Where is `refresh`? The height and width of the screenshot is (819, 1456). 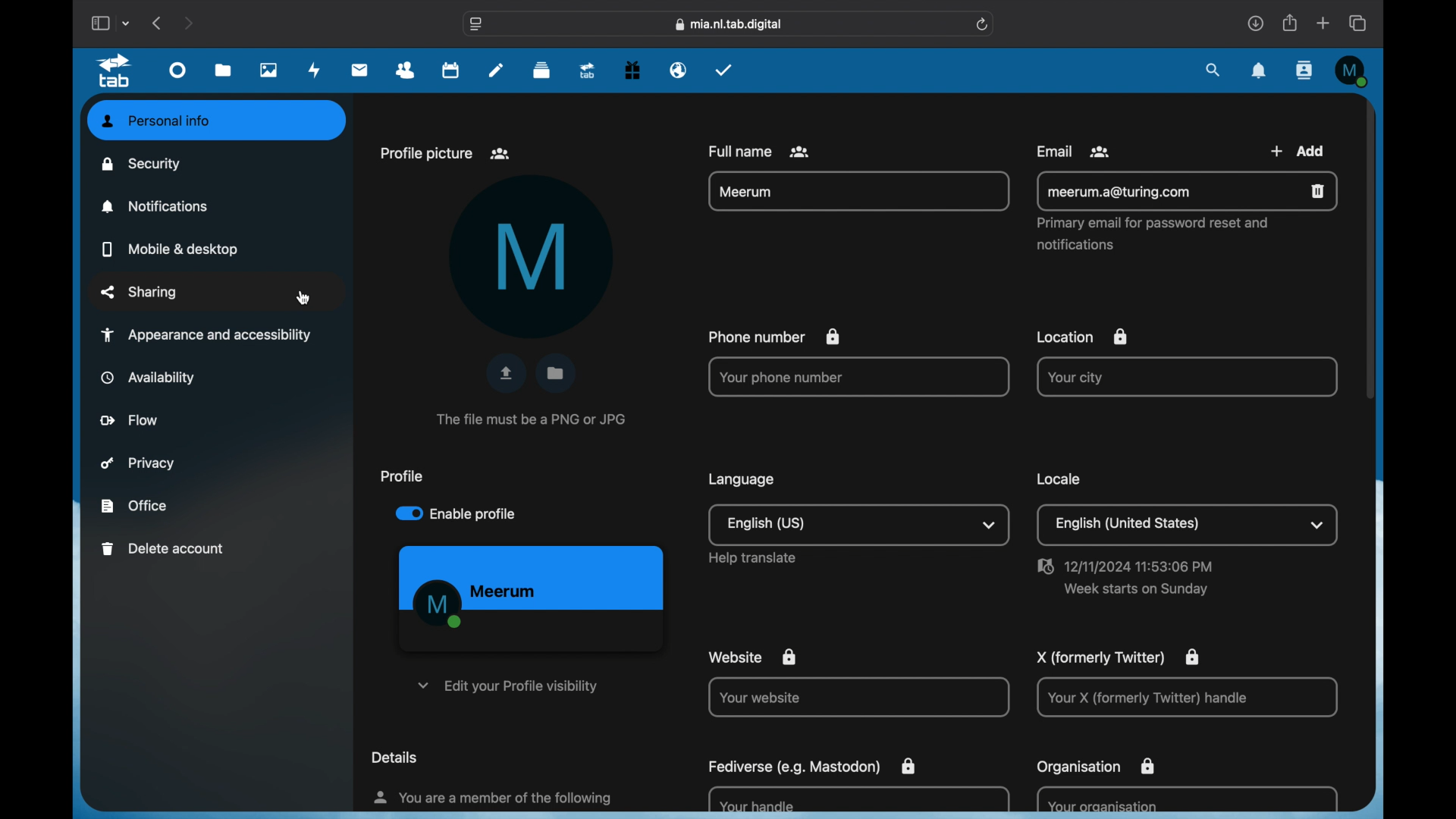
refresh is located at coordinates (984, 24).